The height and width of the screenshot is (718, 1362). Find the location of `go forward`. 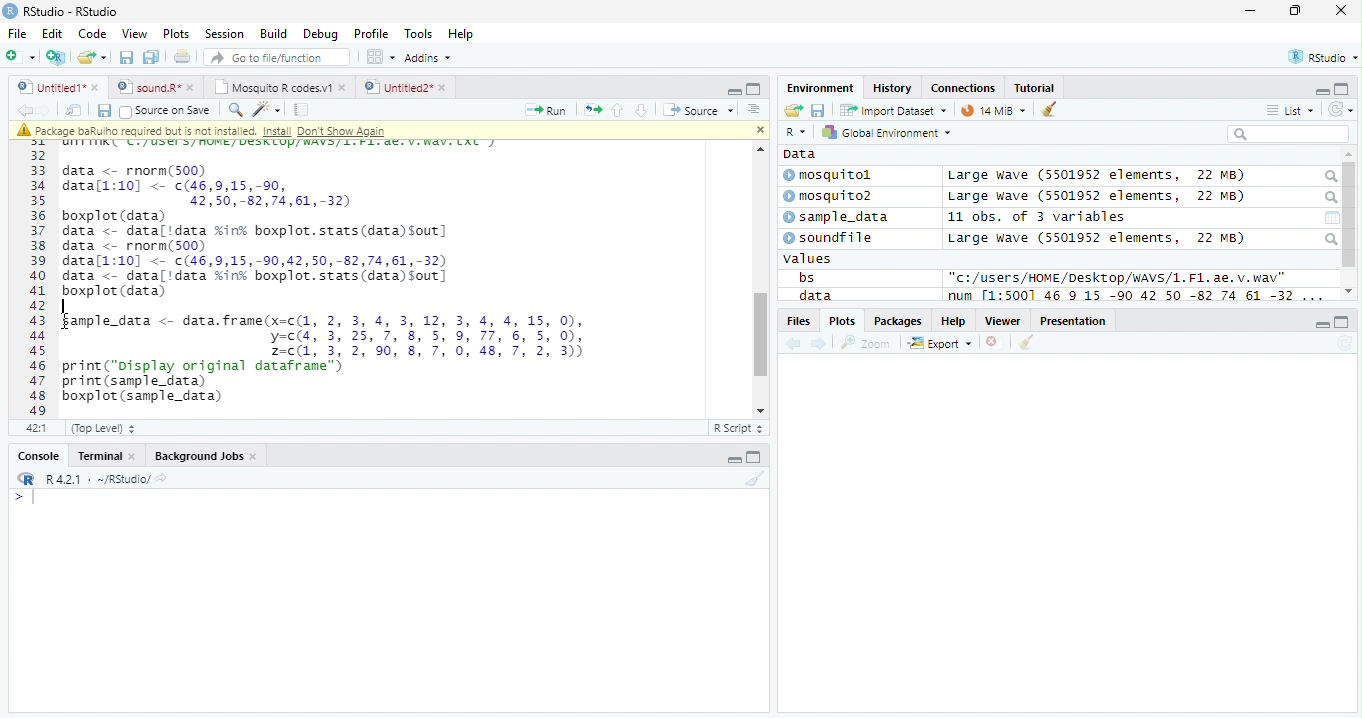

go forward is located at coordinates (820, 345).